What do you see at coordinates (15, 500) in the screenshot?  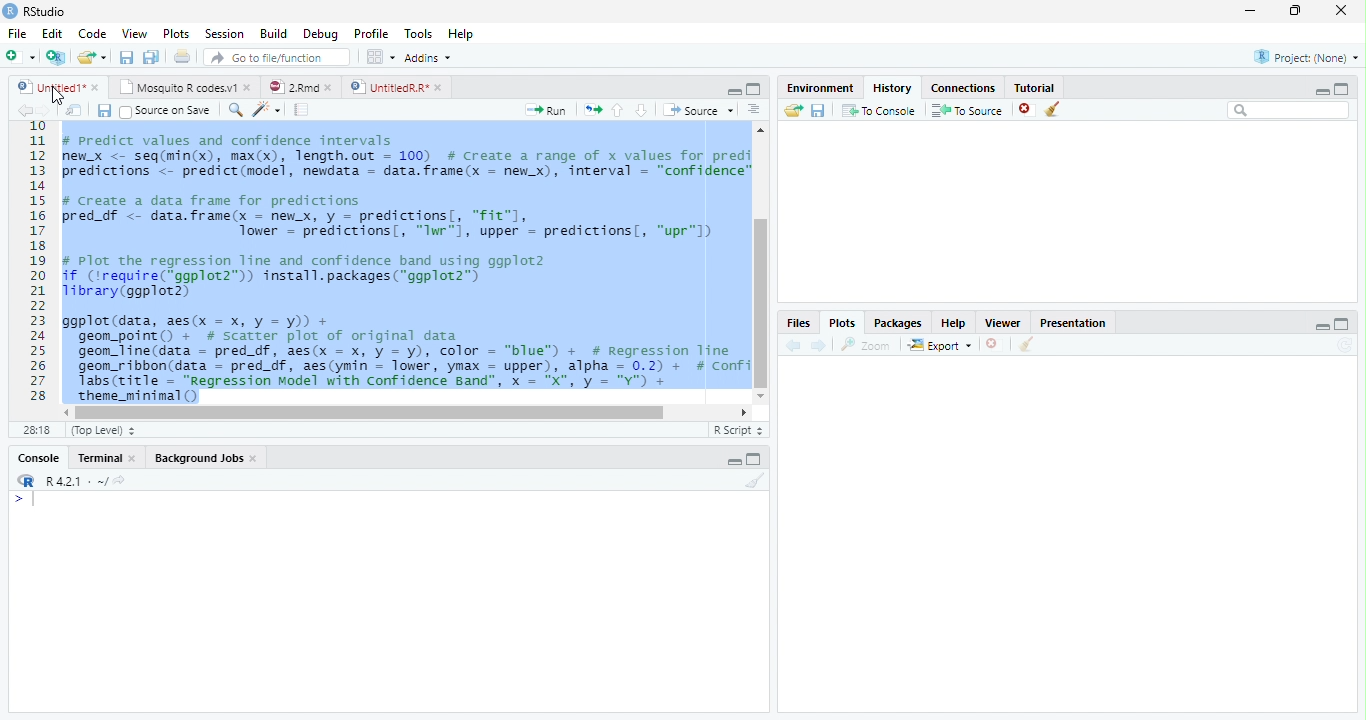 I see `>` at bounding box center [15, 500].